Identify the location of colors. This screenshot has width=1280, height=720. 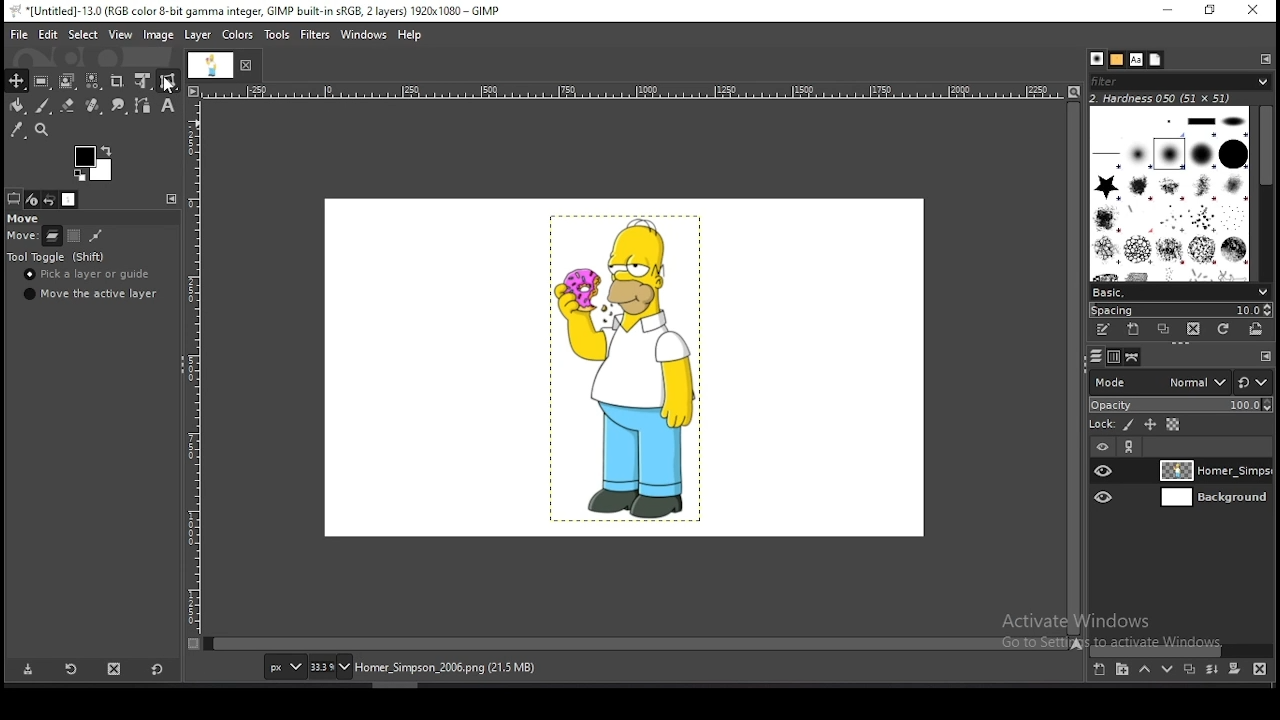
(94, 164).